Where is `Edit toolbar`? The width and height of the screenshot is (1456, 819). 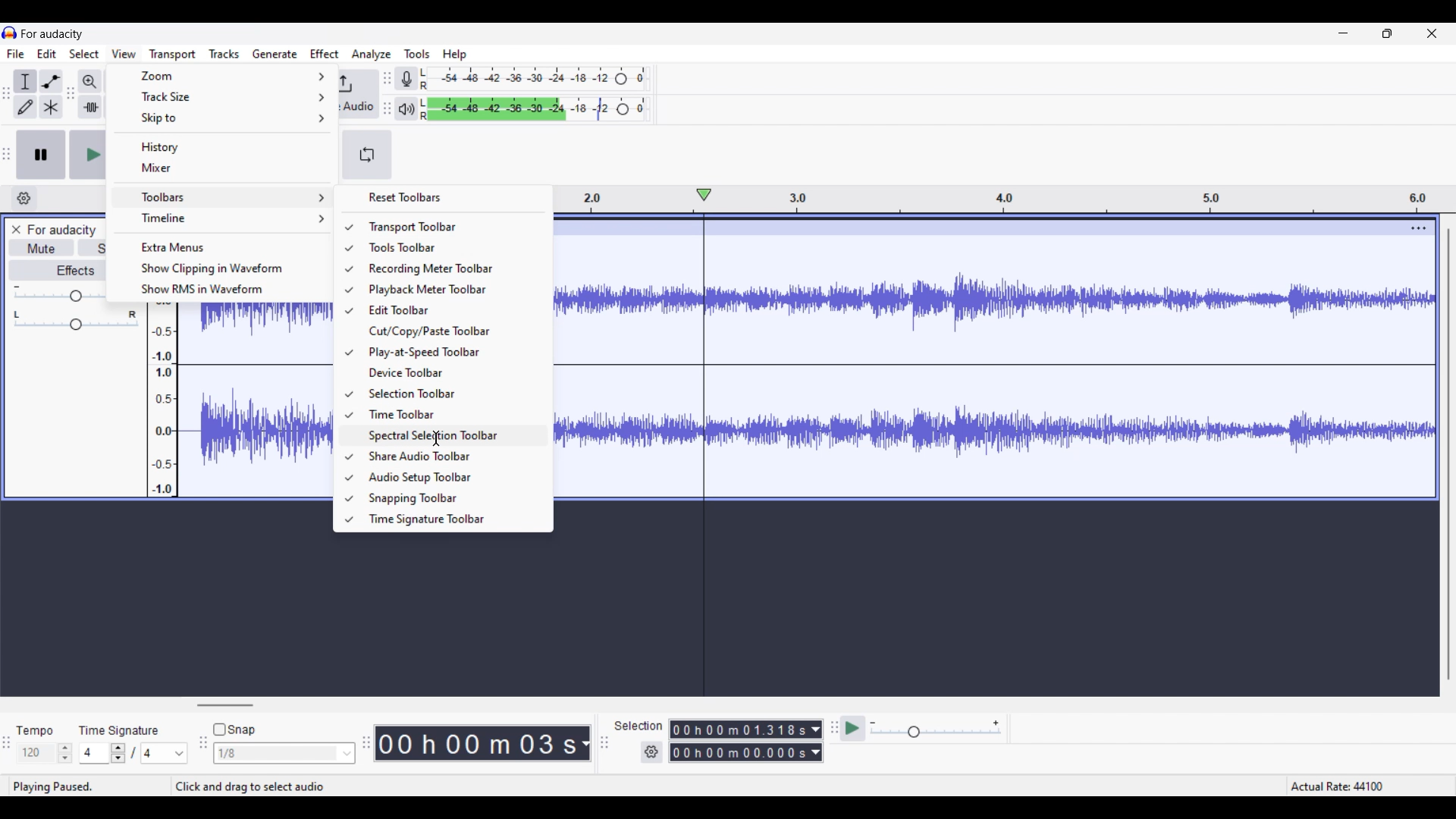 Edit toolbar is located at coordinates (449, 310).